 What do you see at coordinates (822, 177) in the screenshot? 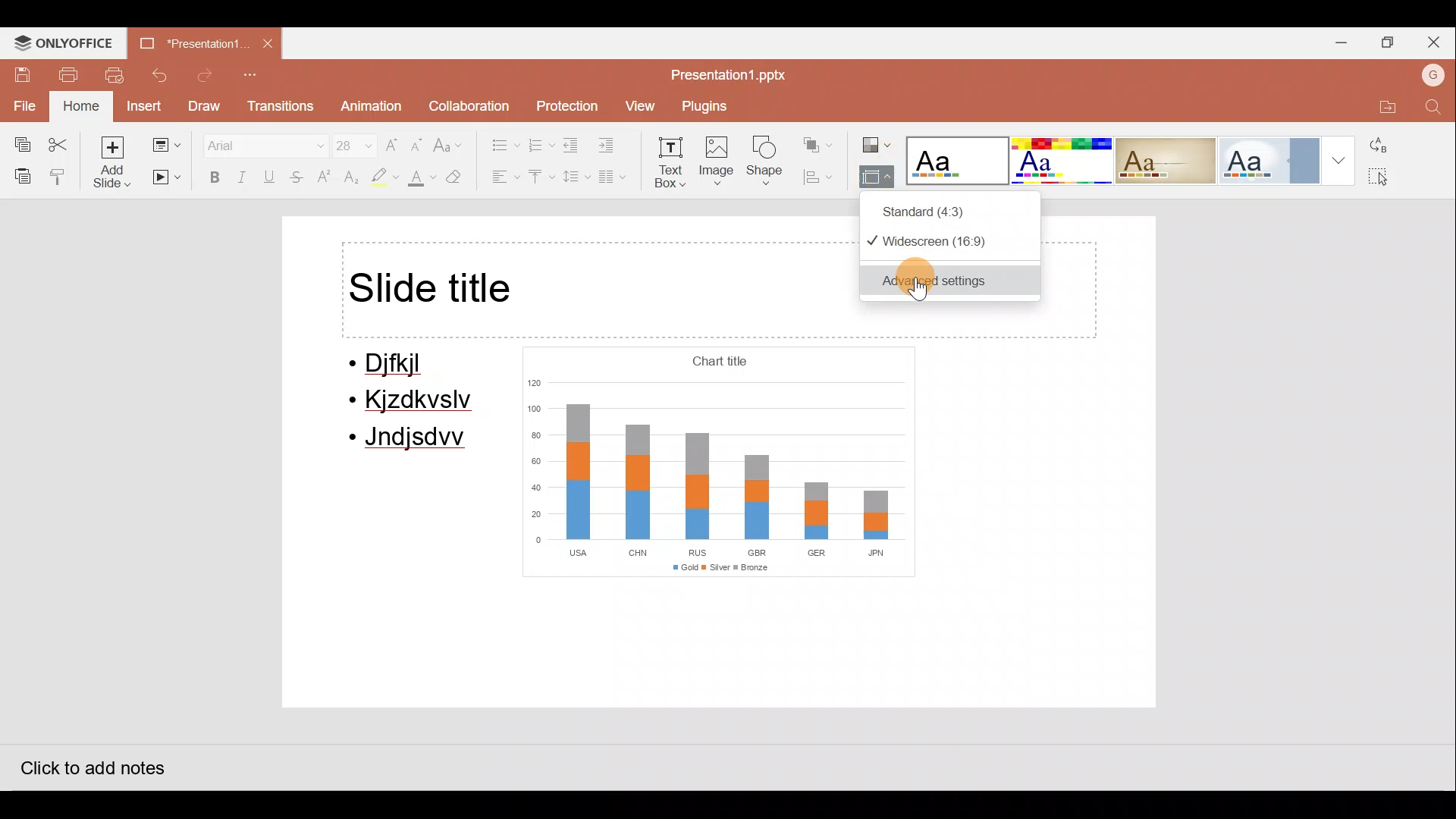
I see `Align shape` at bounding box center [822, 177].